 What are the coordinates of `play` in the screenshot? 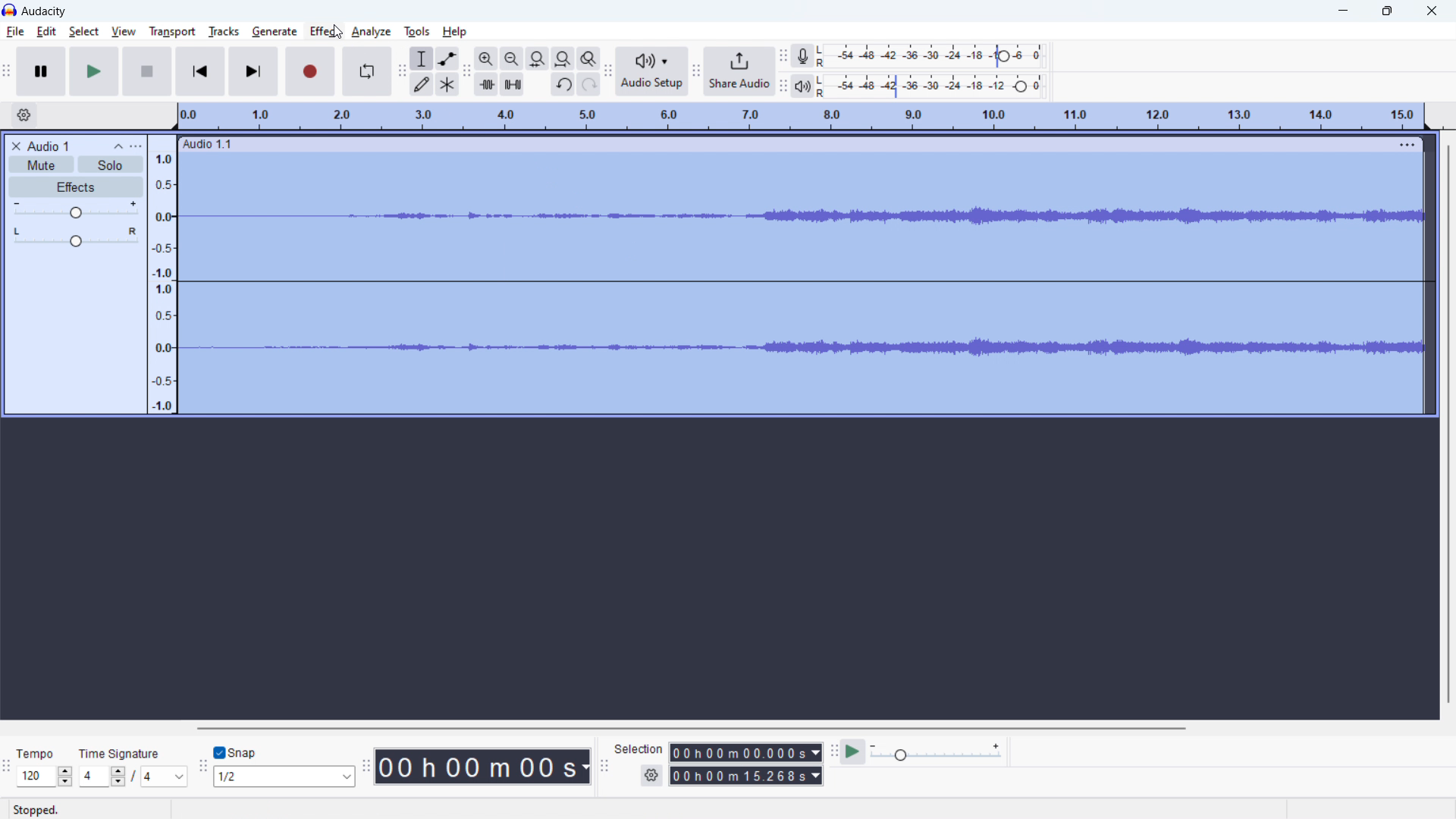 It's located at (95, 71).